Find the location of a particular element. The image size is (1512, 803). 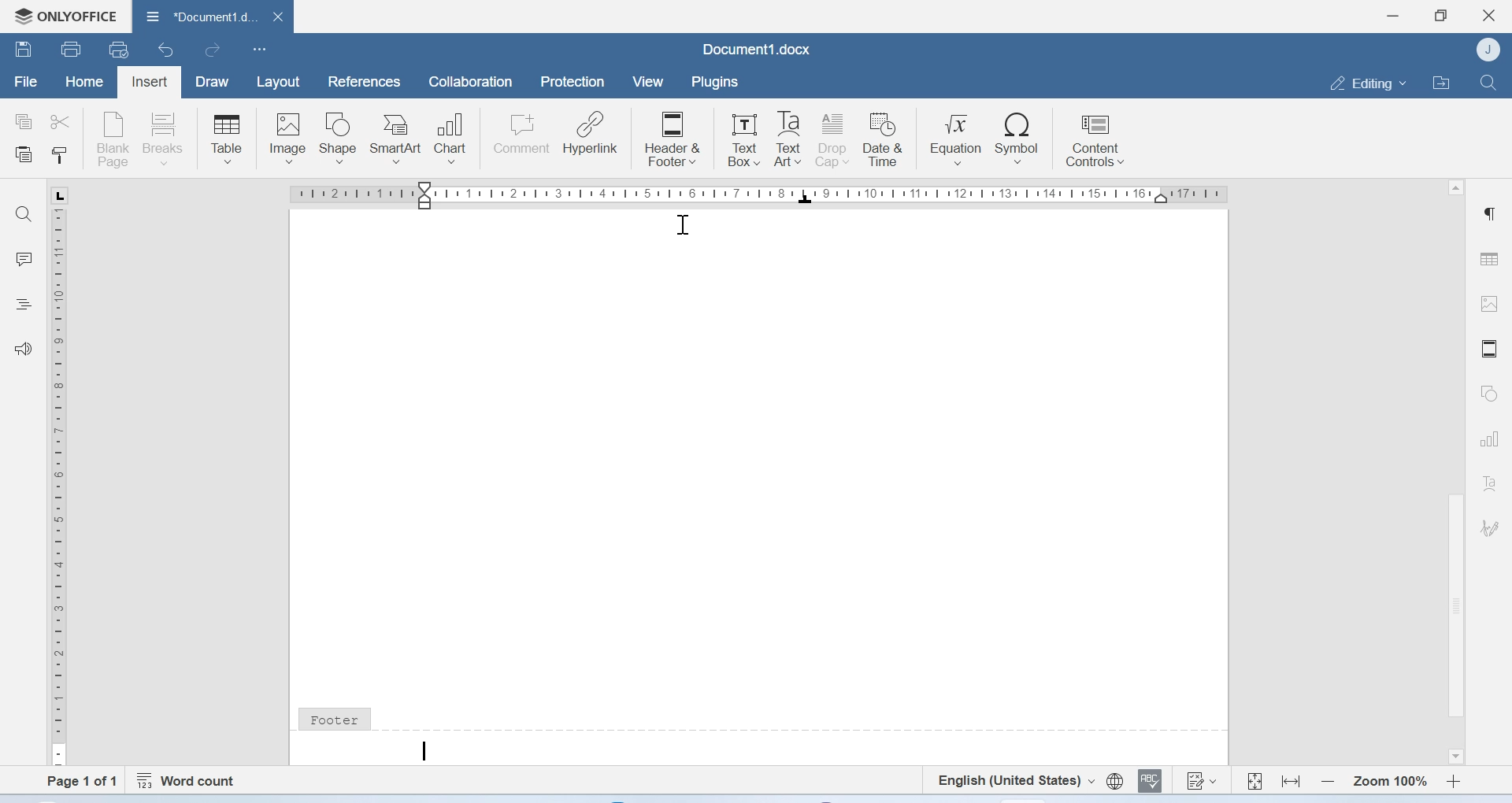

redo is located at coordinates (213, 52).